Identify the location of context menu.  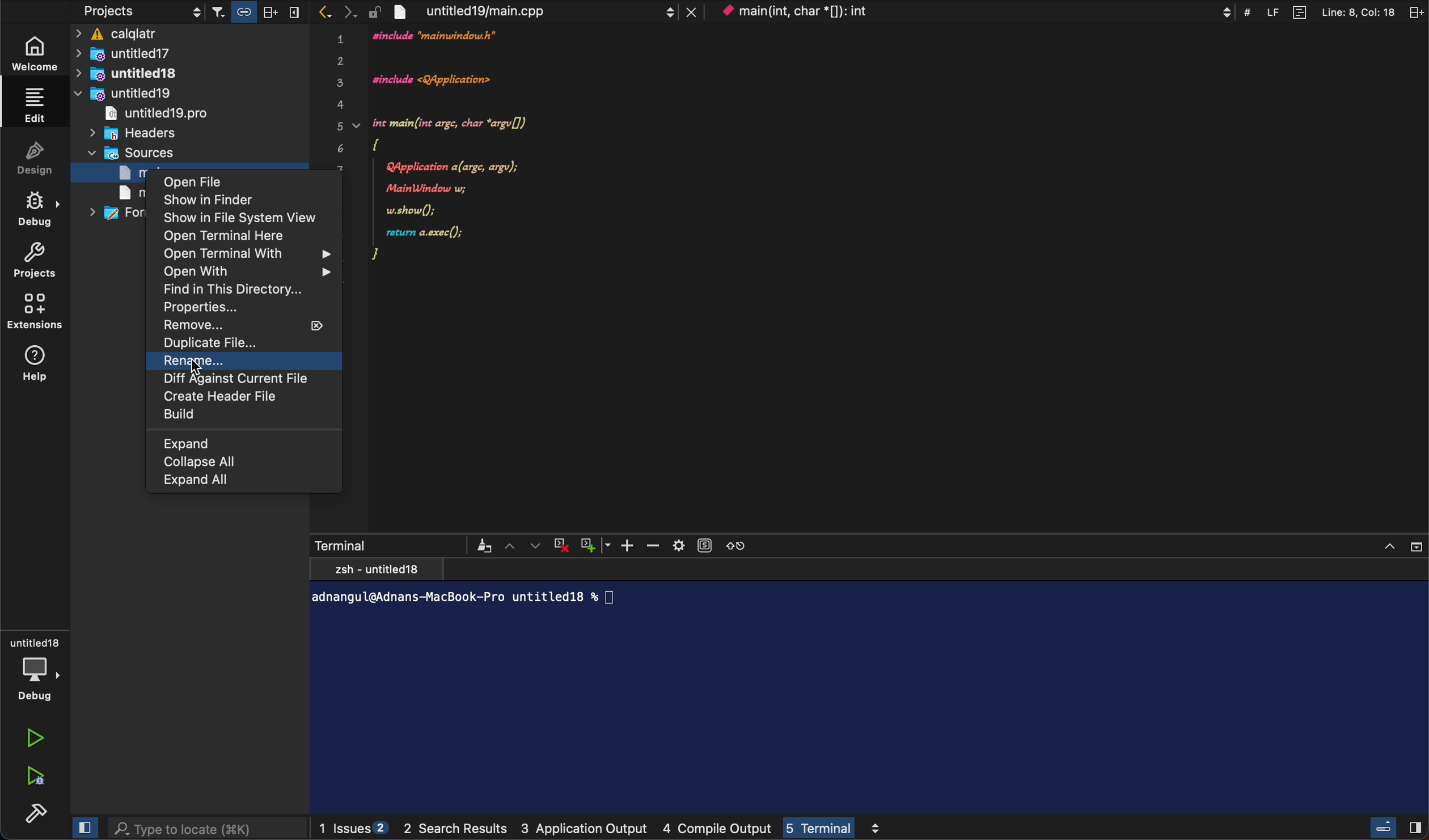
(975, 11).